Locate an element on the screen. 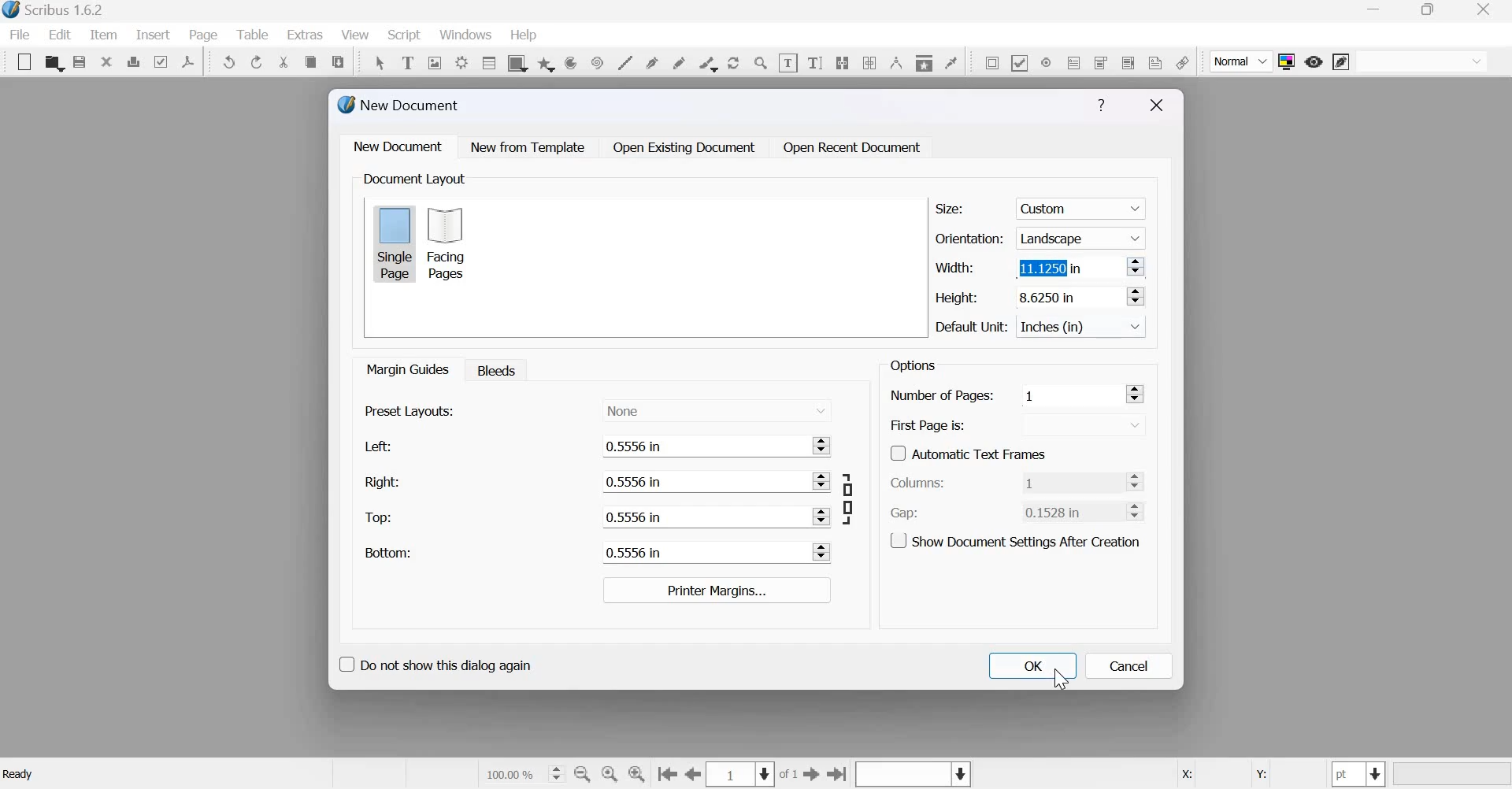 This screenshot has width=1512, height=789. item is located at coordinates (102, 35).